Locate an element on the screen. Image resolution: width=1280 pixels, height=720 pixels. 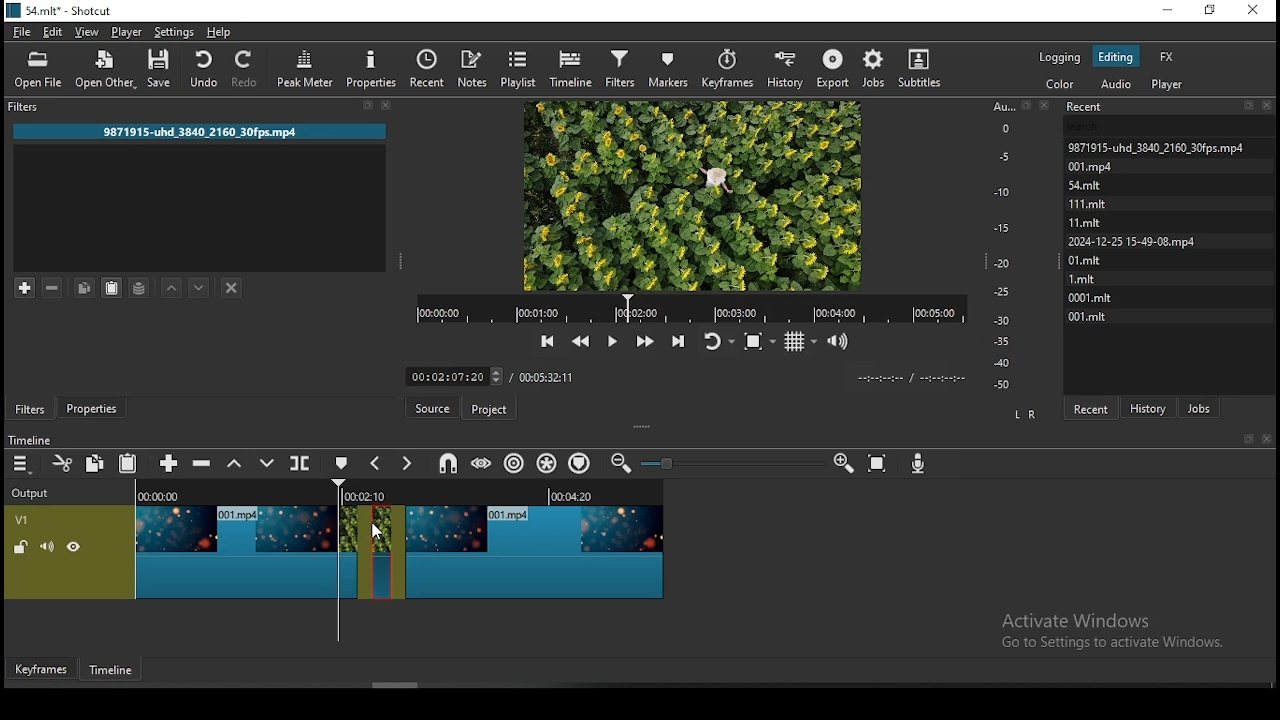
jobs is located at coordinates (876, 70).